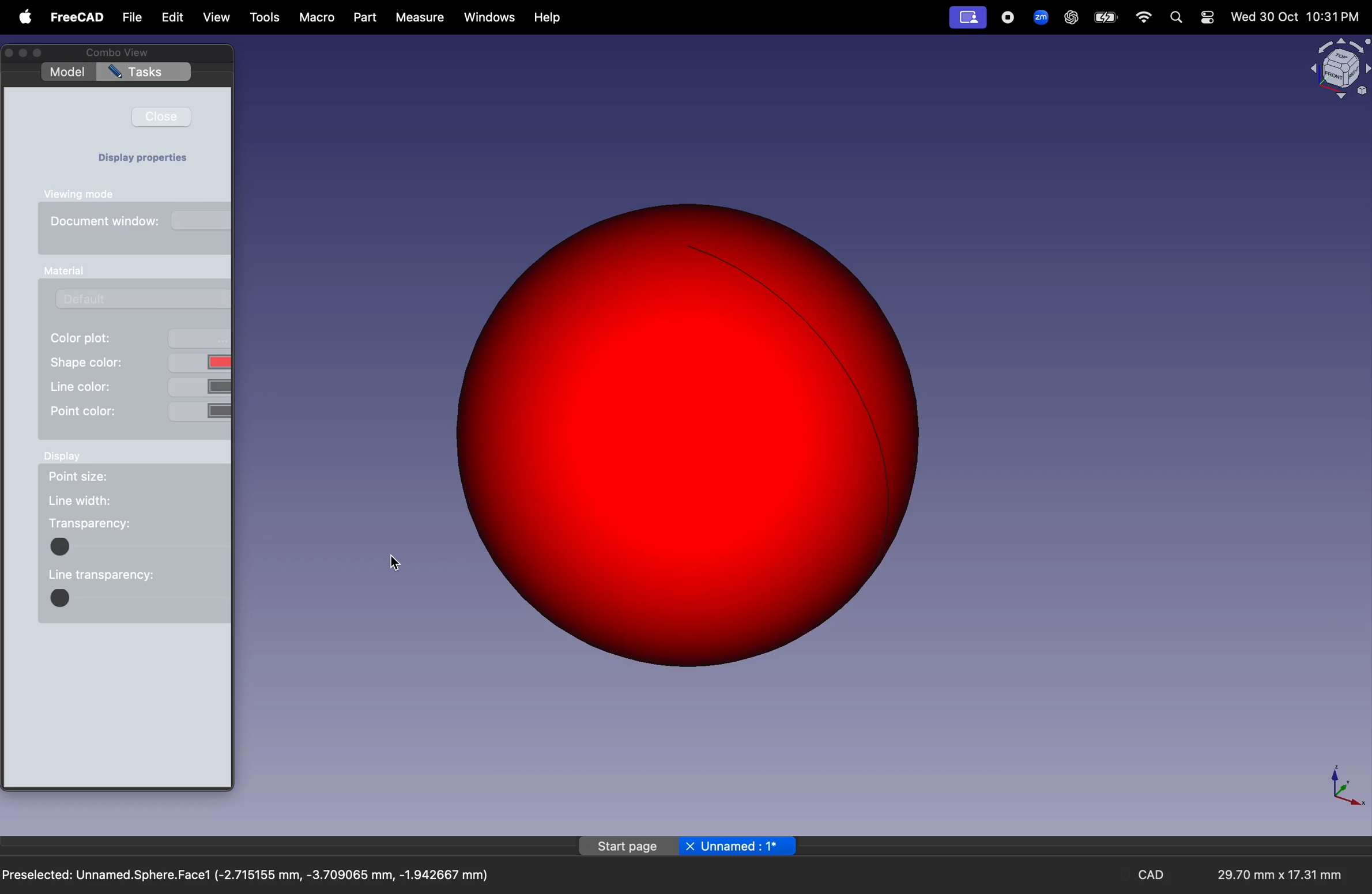 This screenshot has width=1372, height=894. I want to click on free Cad, so click(77, 18).